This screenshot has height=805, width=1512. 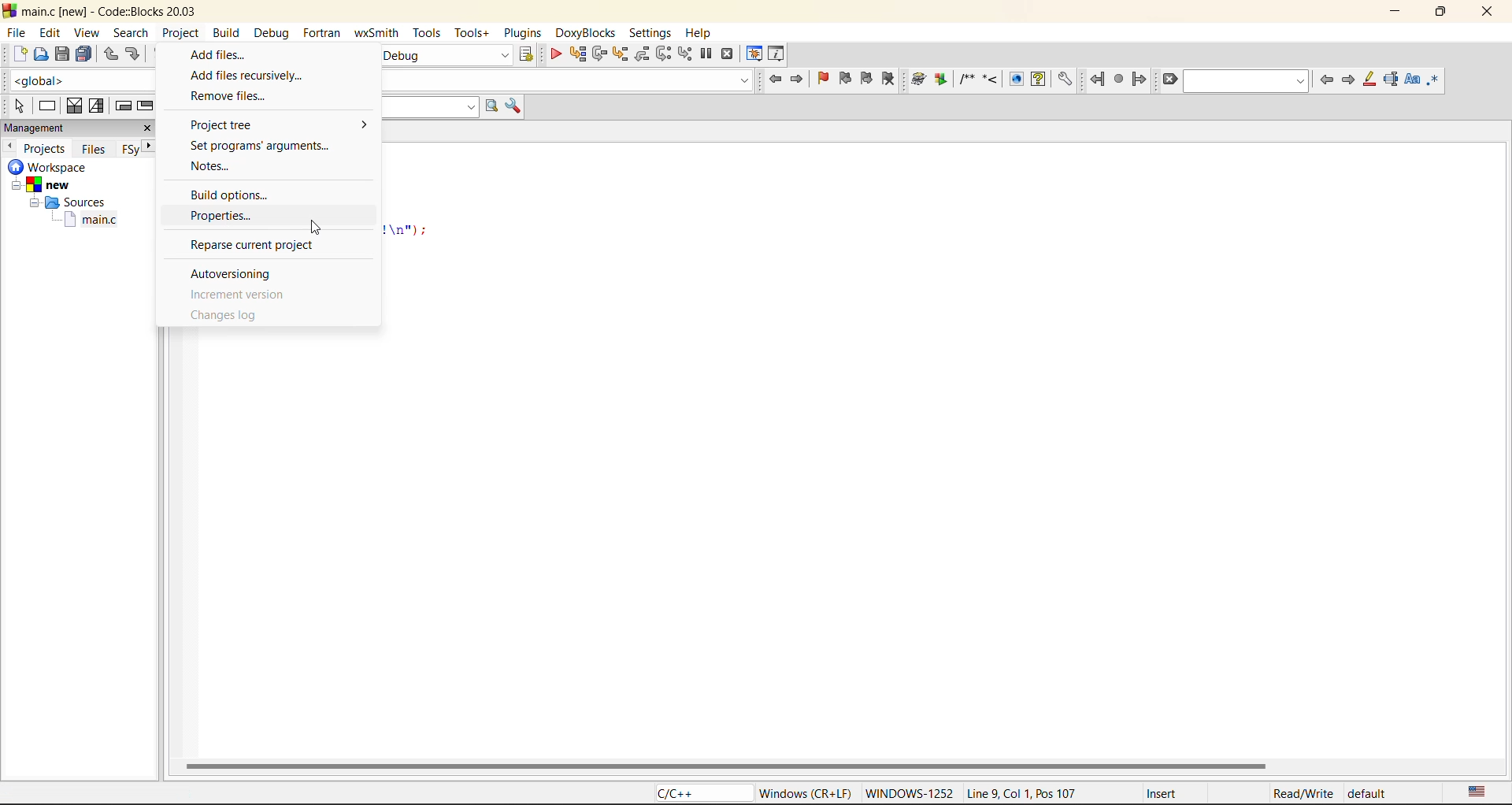 I want to click on help, so click(x=702, y=34).